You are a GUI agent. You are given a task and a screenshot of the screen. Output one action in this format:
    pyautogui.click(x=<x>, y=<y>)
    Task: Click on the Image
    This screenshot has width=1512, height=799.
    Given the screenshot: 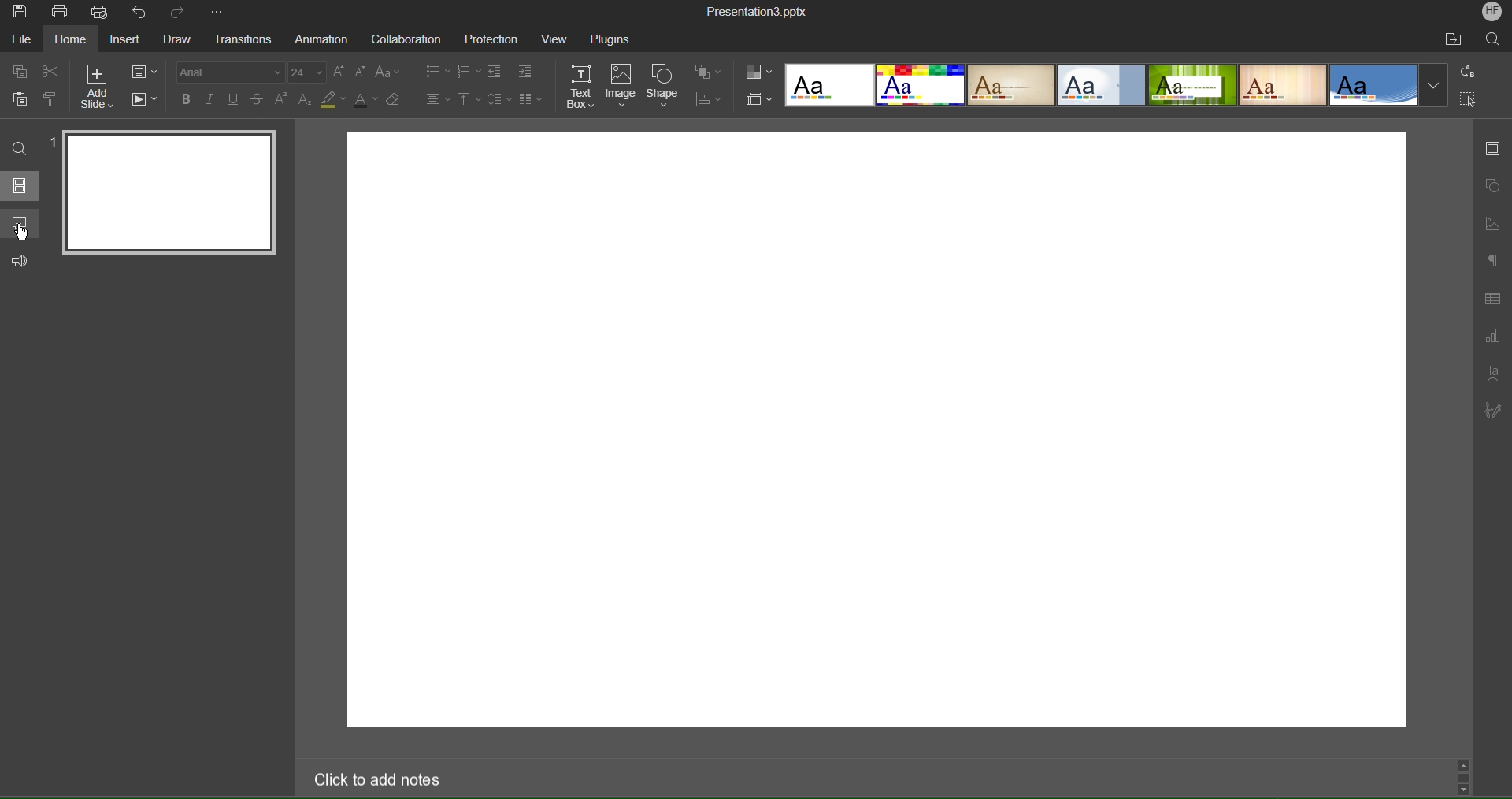 What is the action you would take?
    pyautogui.click(x=624, y=86)
    